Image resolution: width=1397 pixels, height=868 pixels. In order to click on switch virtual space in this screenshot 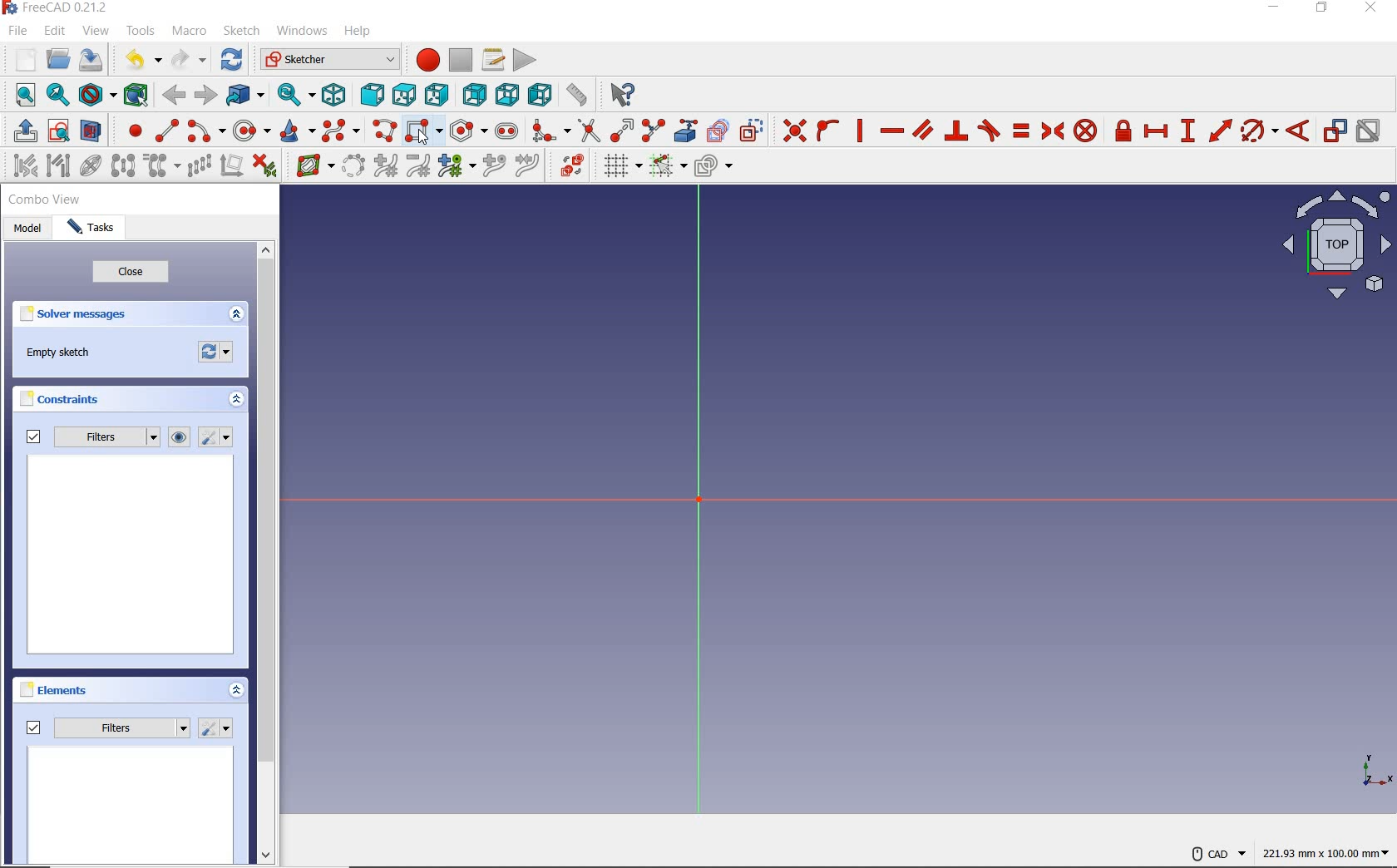, I will do `click(574, 168)`.